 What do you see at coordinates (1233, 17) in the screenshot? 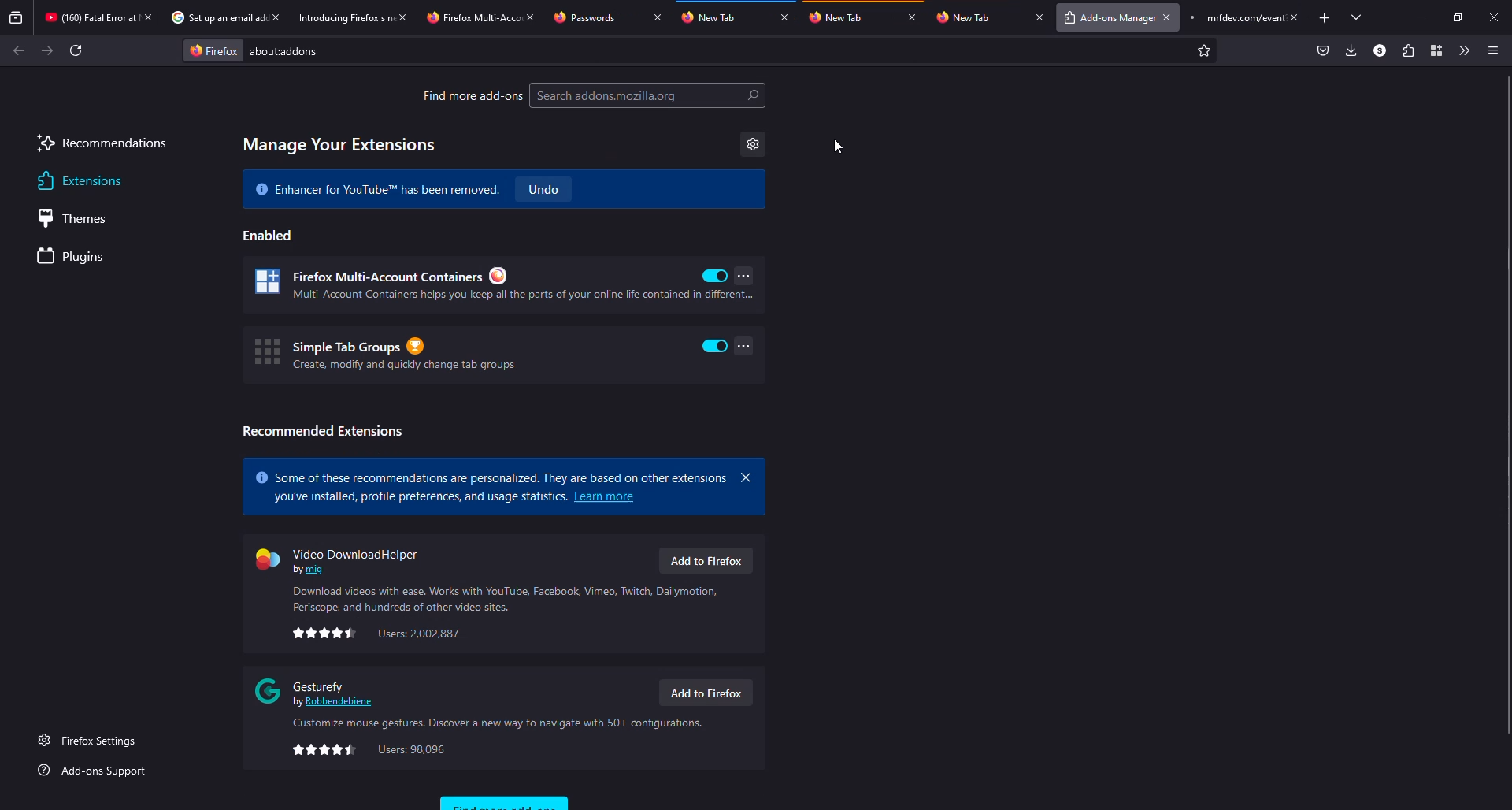
I see `Tab` at bounding box center [1233, 17].